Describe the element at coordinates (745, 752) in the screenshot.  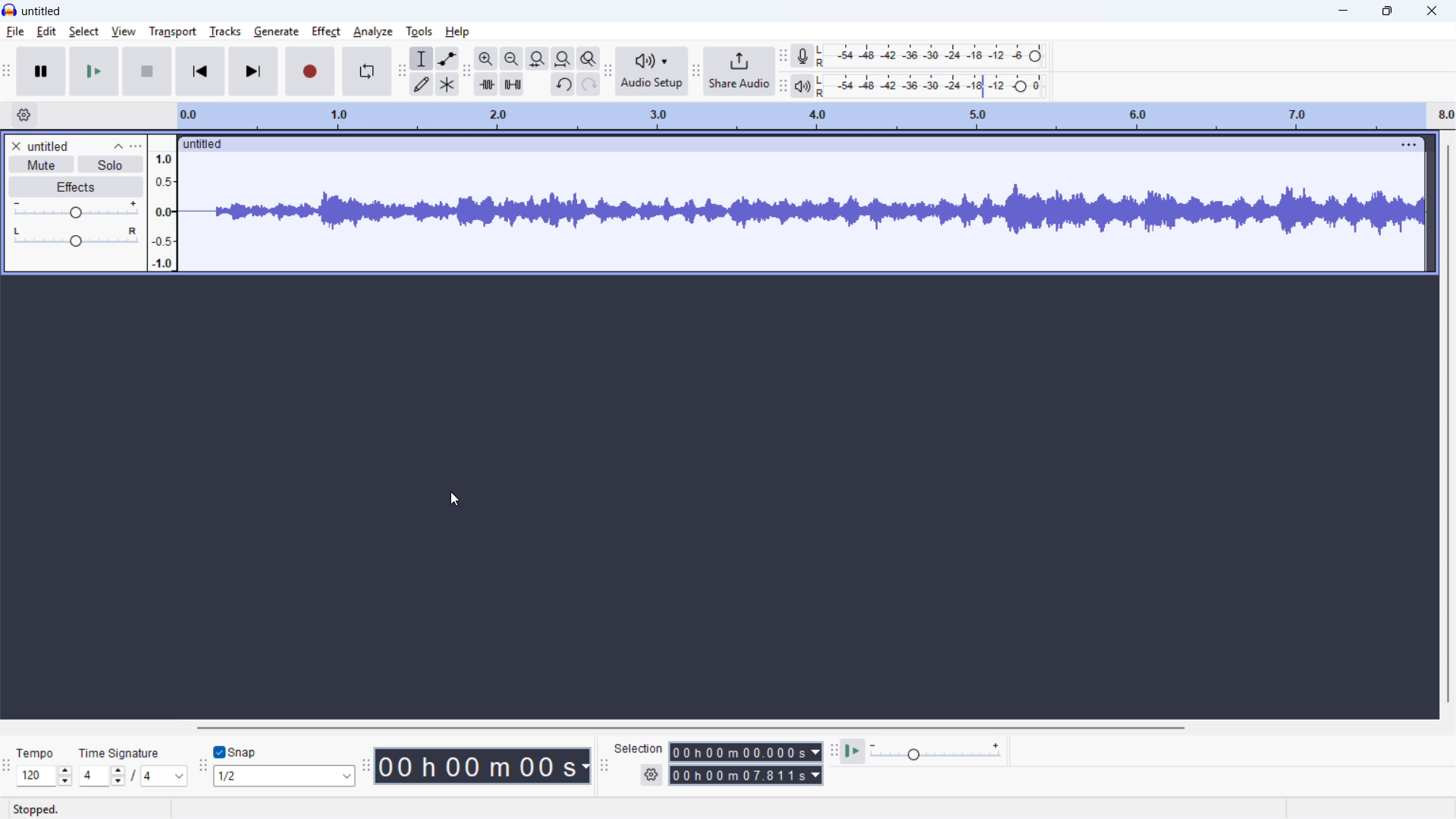
I see `Selection start time` at that location.